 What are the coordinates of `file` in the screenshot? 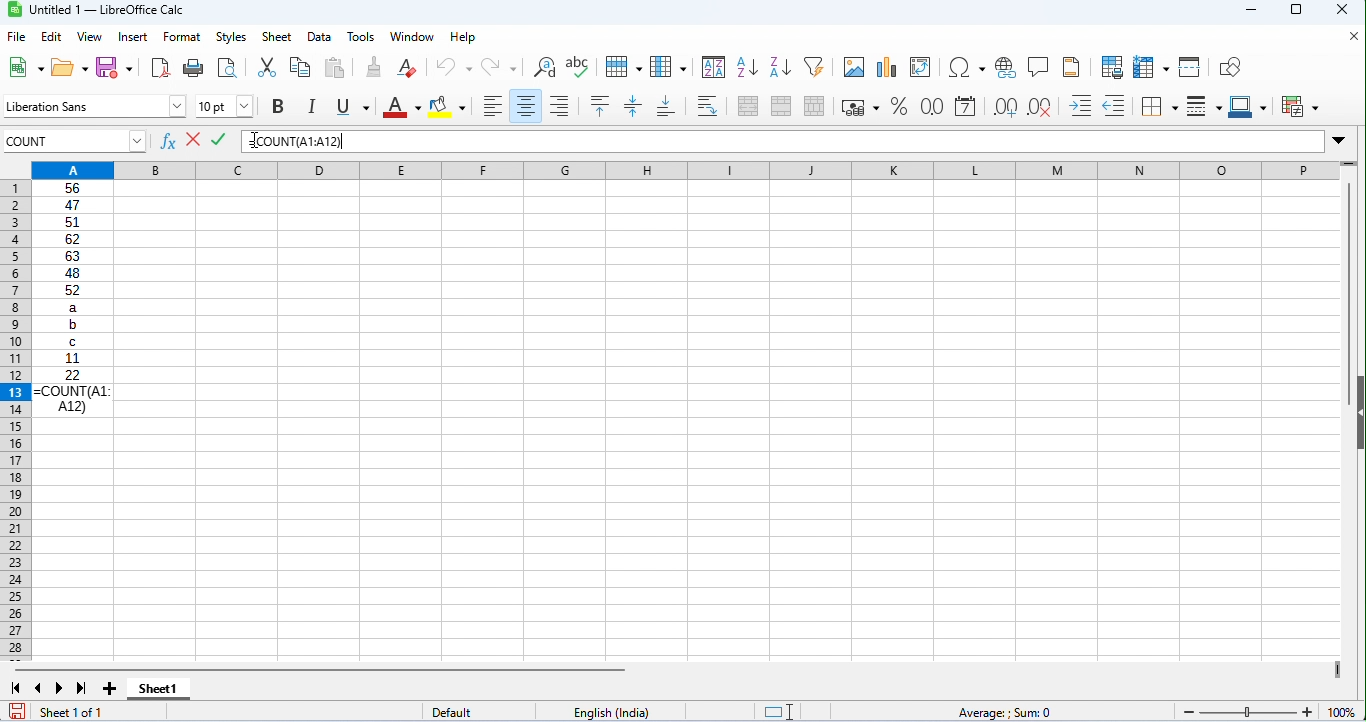 It's located at (16, 36).